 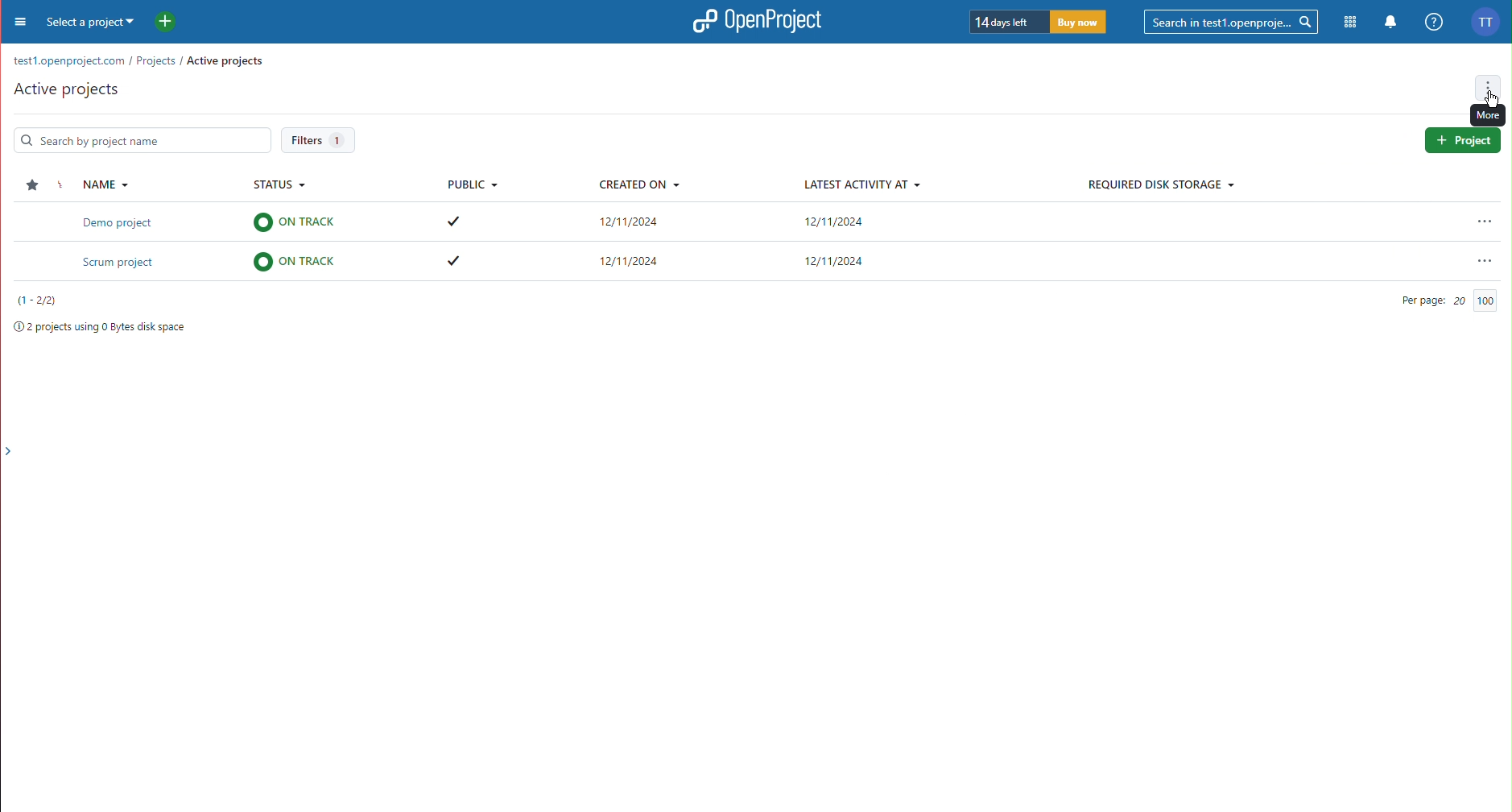 What do you see at coordinates (1389, 23) in the screenshot?
I see `Notifications` at bounding box center [1389, 23].